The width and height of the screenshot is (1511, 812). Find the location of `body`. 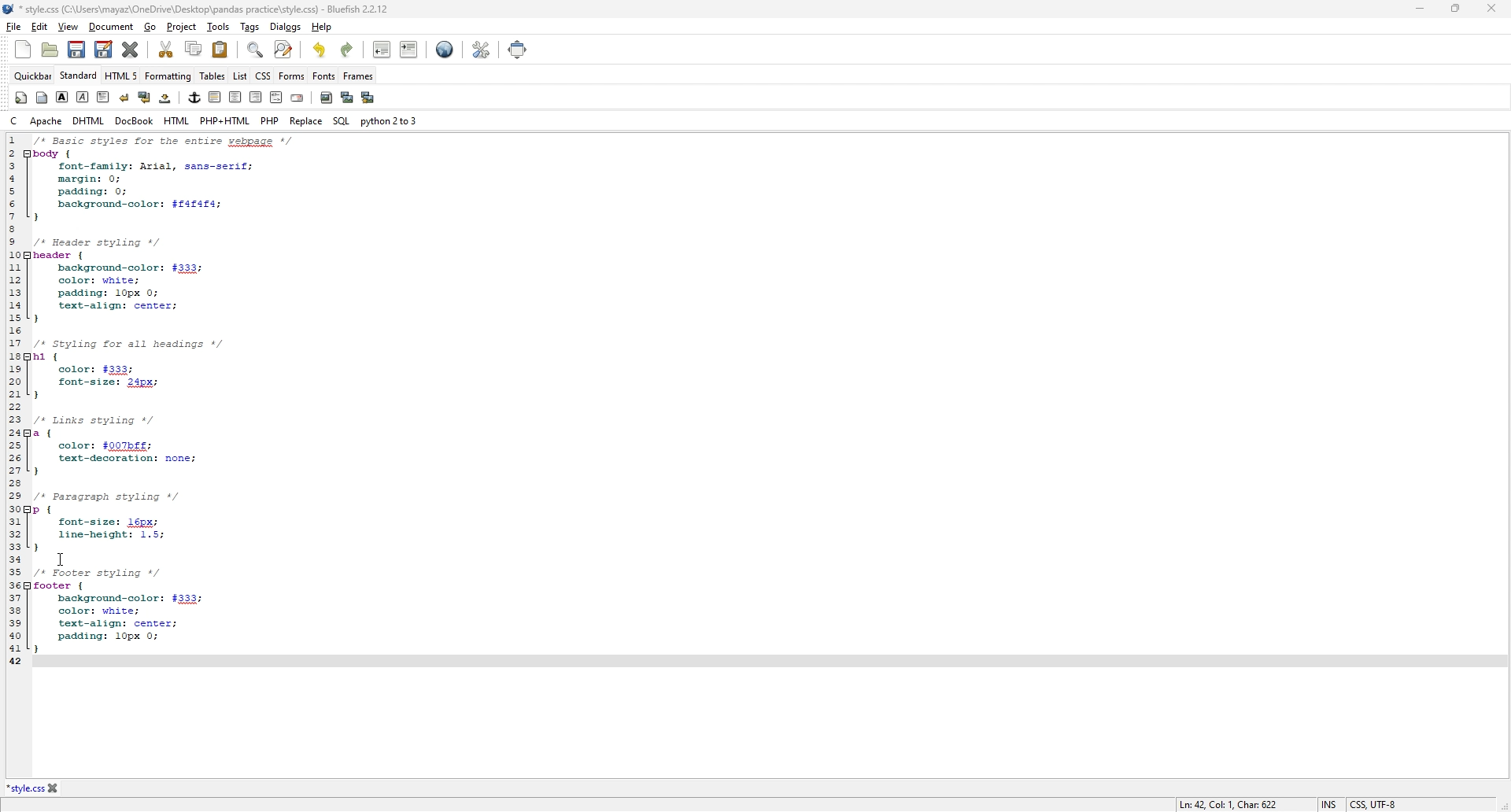

body is located at coordinates (41, 98).